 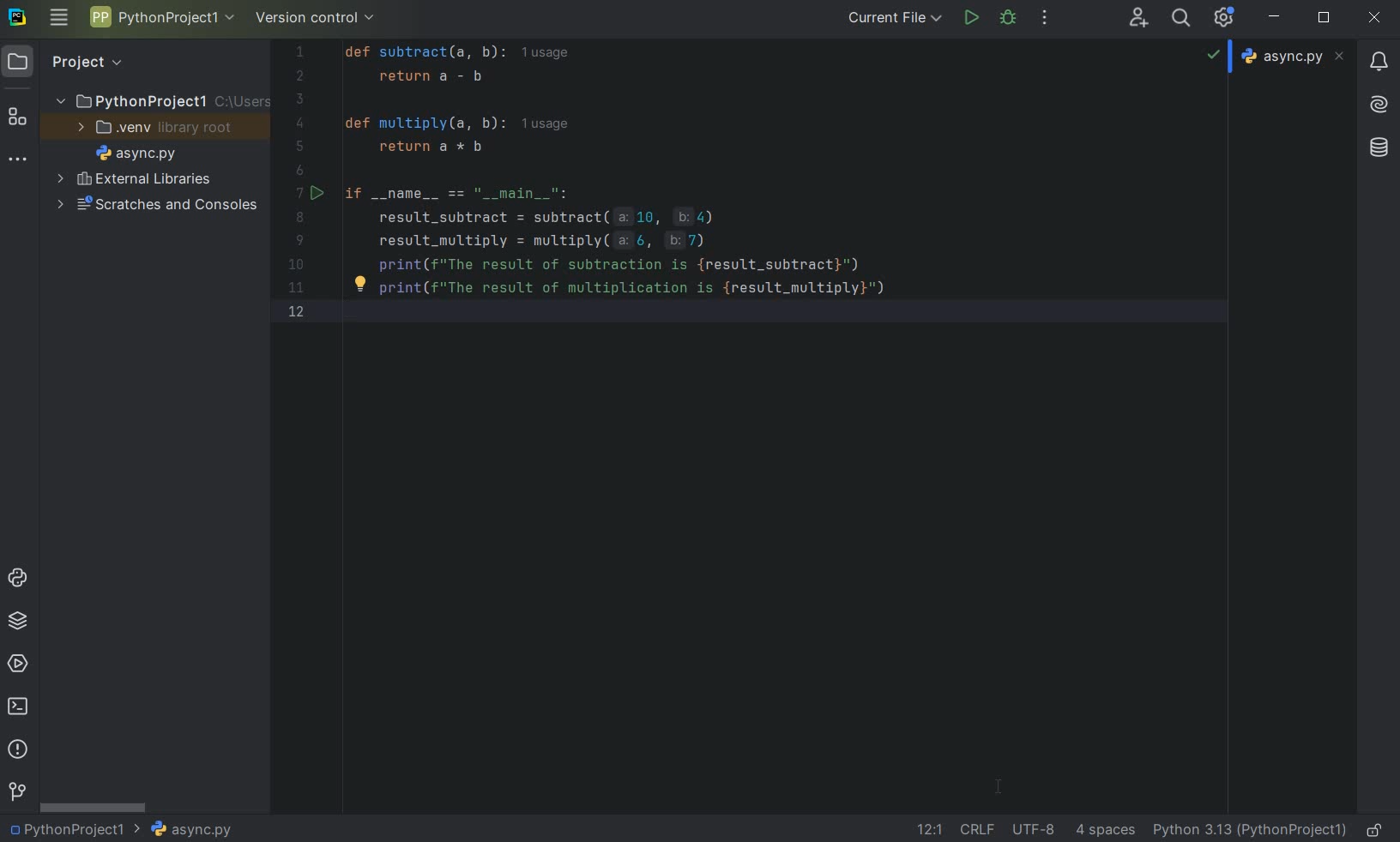 I want to click on debug, so click(x=1007, y=18).